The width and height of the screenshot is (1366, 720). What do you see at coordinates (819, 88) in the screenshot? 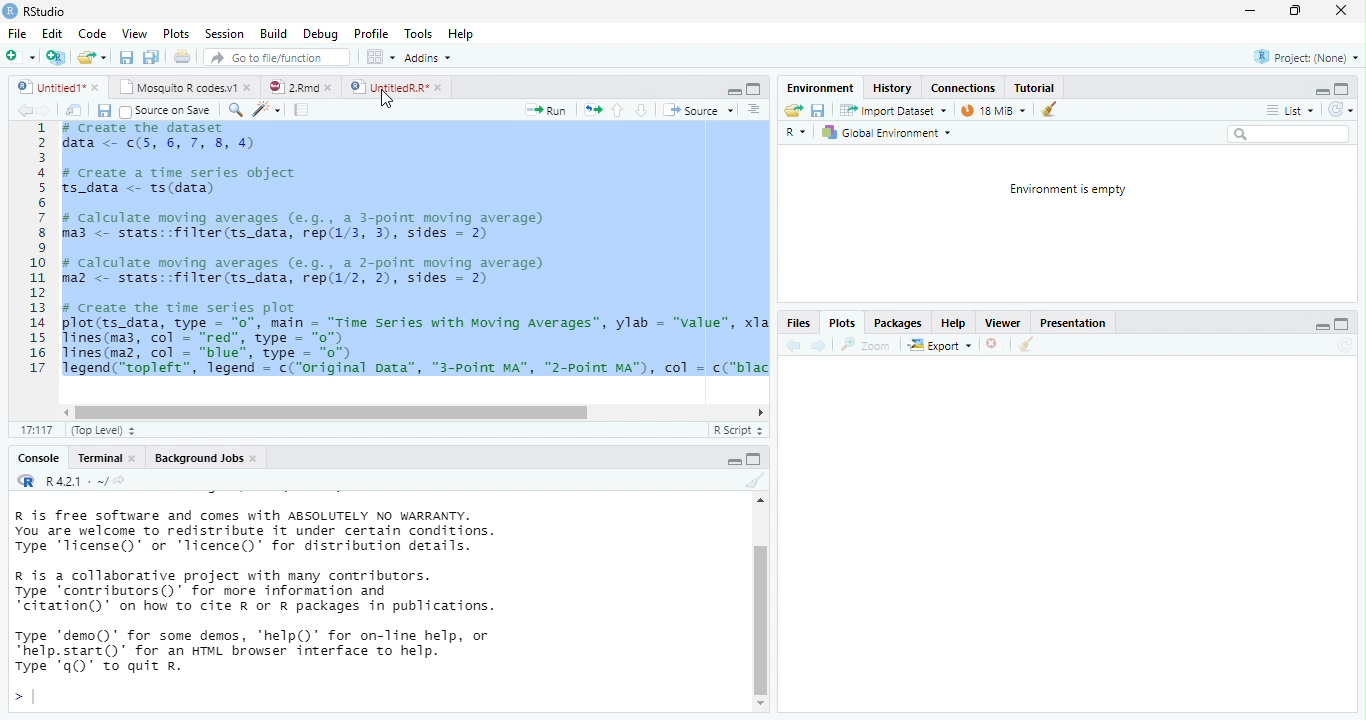
I see `‘Environment` at bounding box center [819, 88].